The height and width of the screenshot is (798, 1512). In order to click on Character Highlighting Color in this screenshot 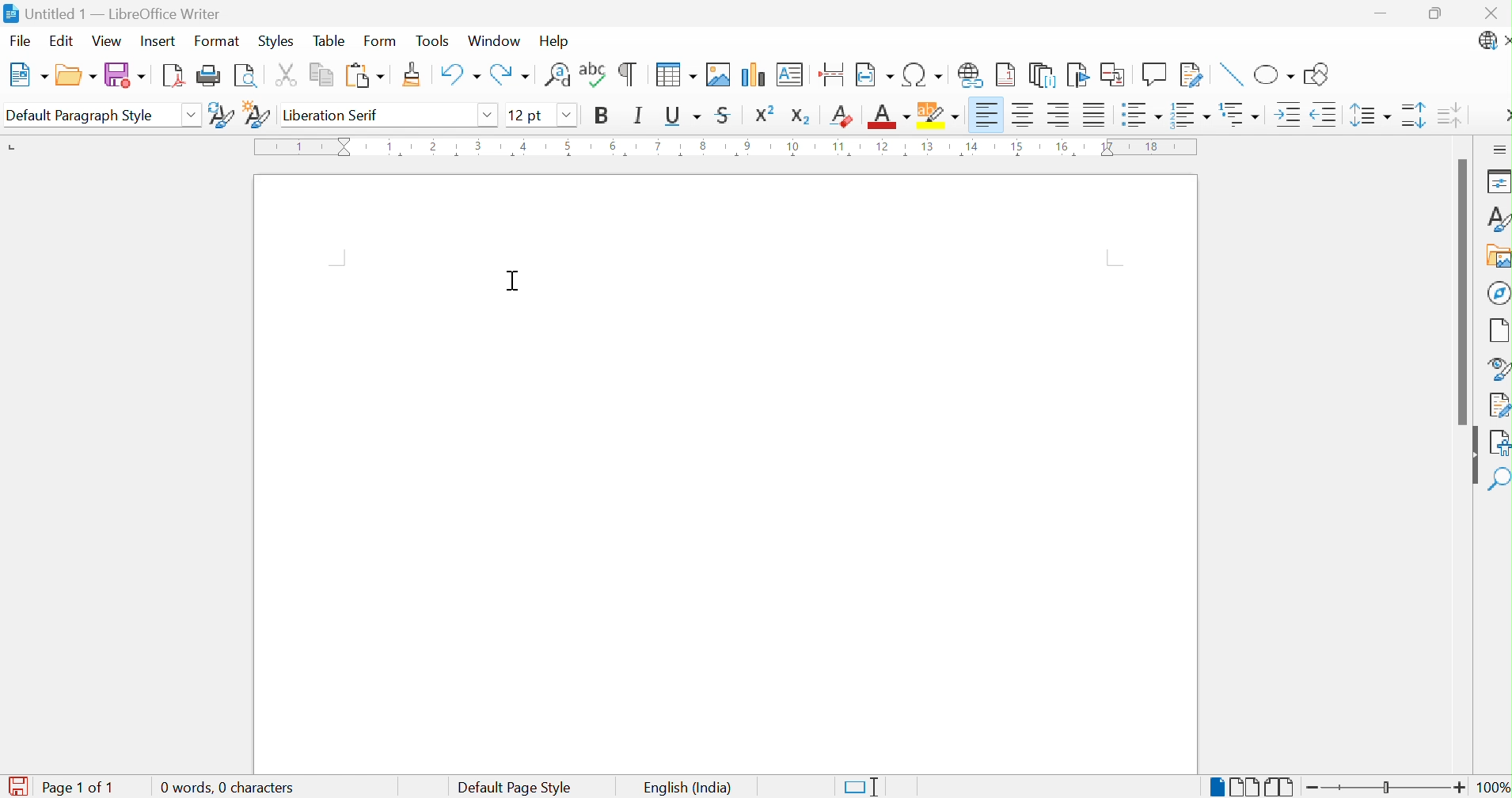, I will do `click(940, 112)`.